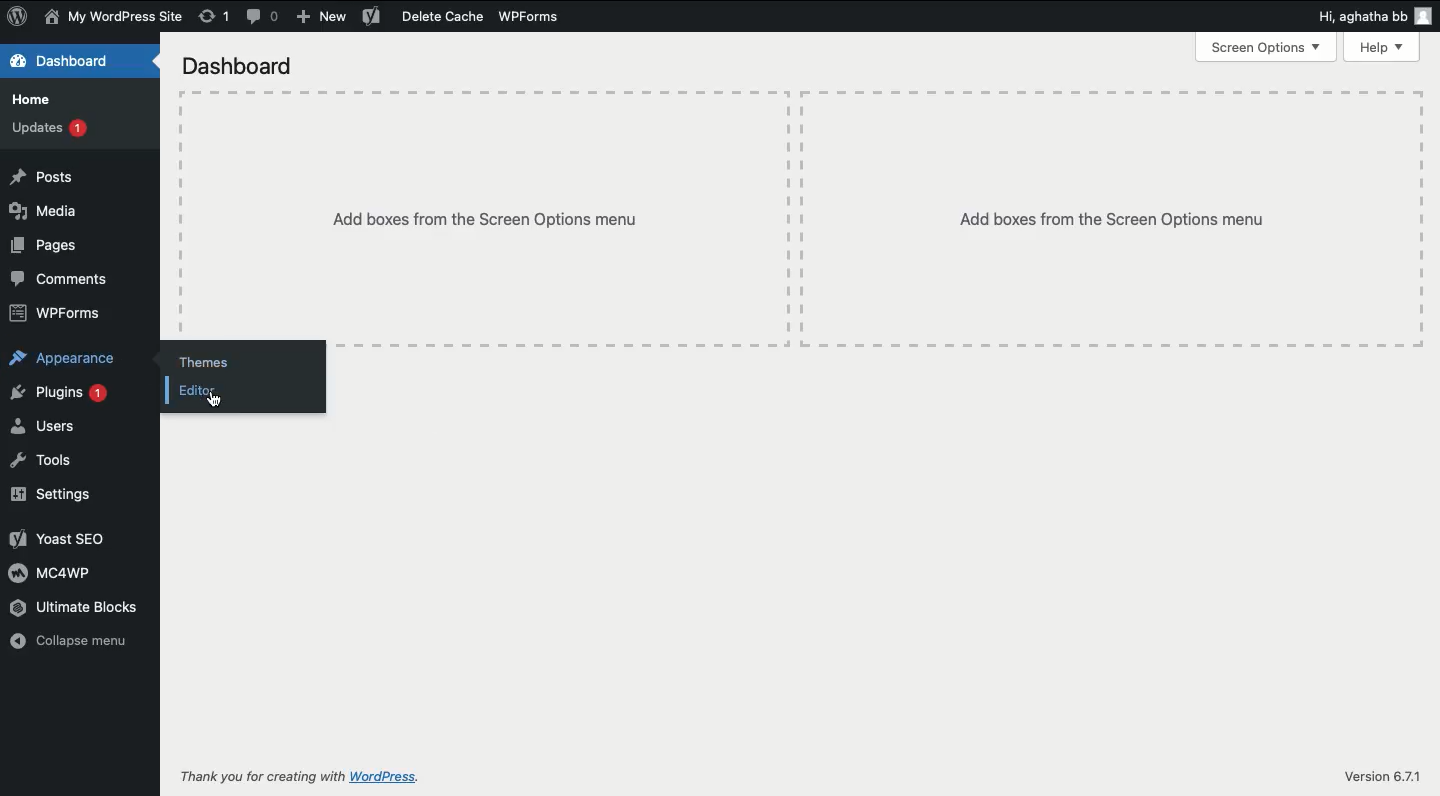 The height and width of the screenshot is (796, 1440). I want to click on  Tools, so click(50, 463).